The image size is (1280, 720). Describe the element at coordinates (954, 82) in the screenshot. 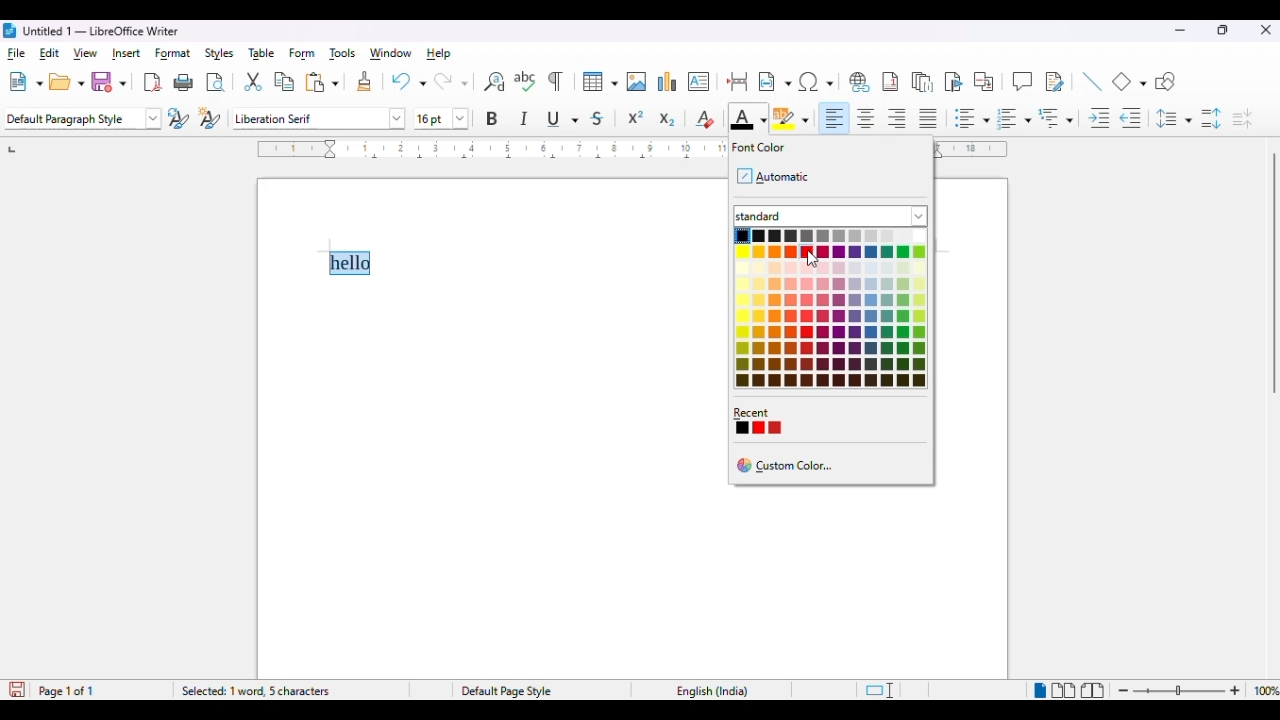

I see `insert bookmark` at that location.